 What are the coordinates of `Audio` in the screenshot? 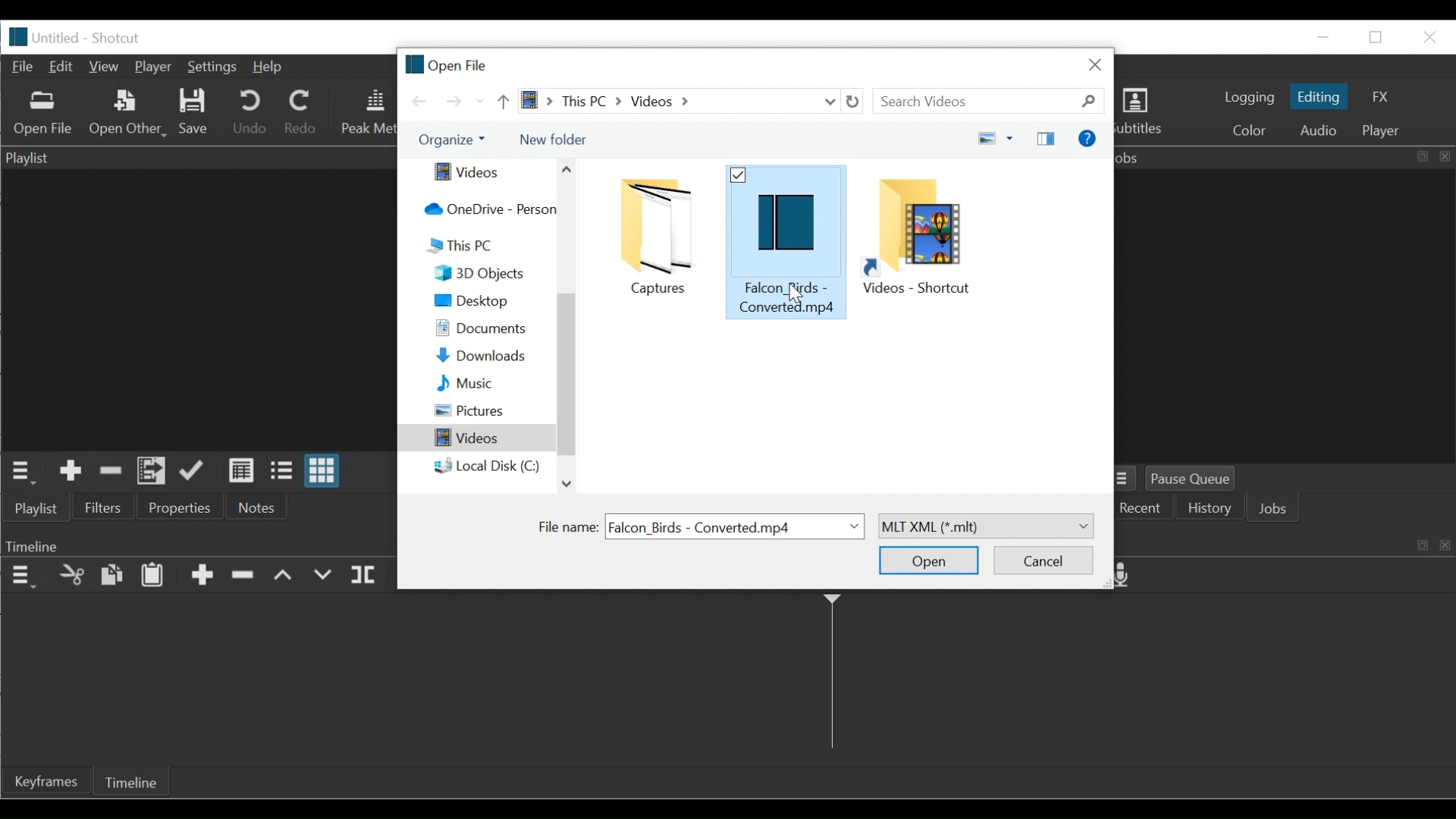 It's located at (1320, 130).